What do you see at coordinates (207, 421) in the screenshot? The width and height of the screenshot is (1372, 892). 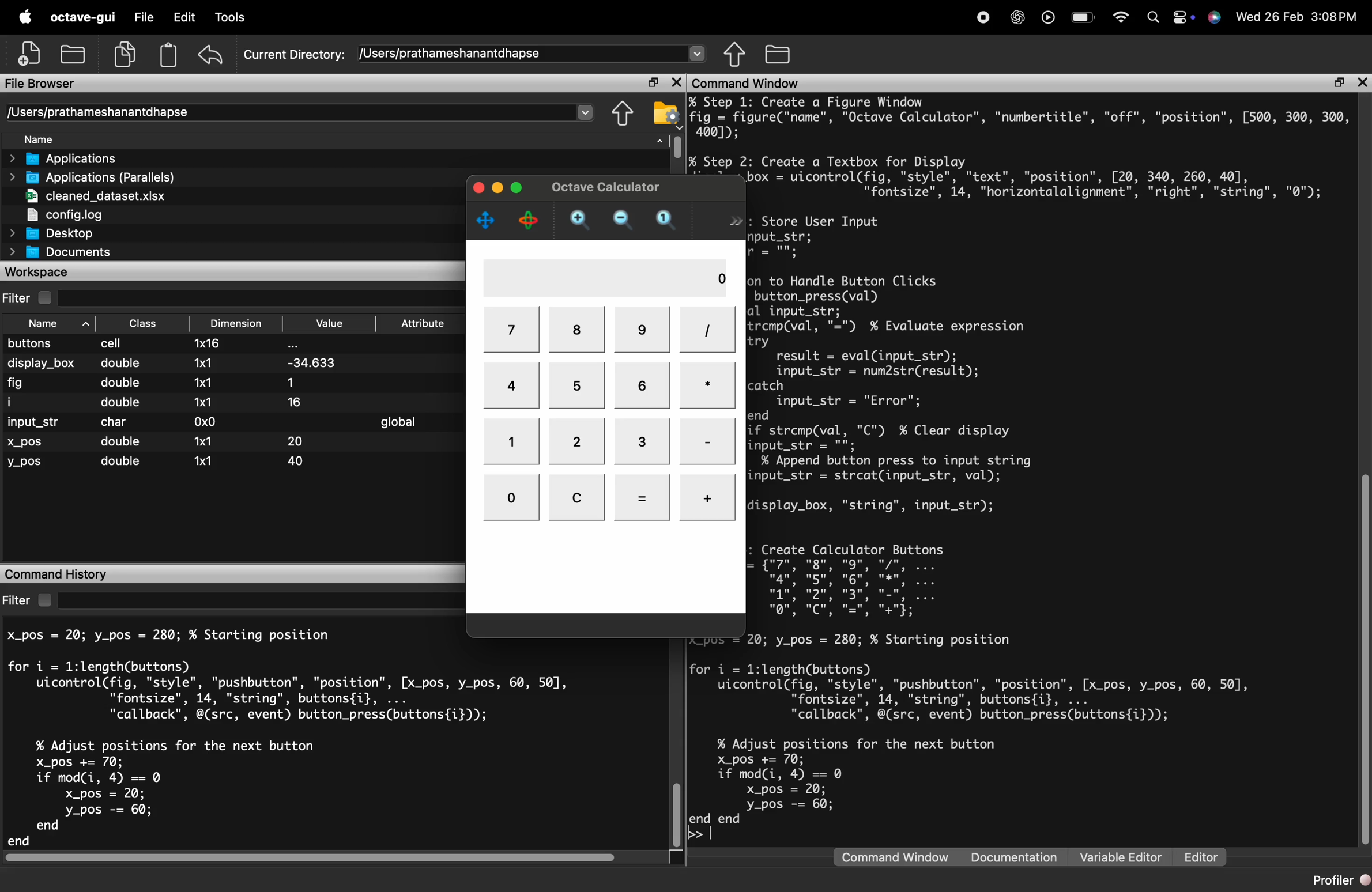 I see `0x0` at bounding box center [207, 421].